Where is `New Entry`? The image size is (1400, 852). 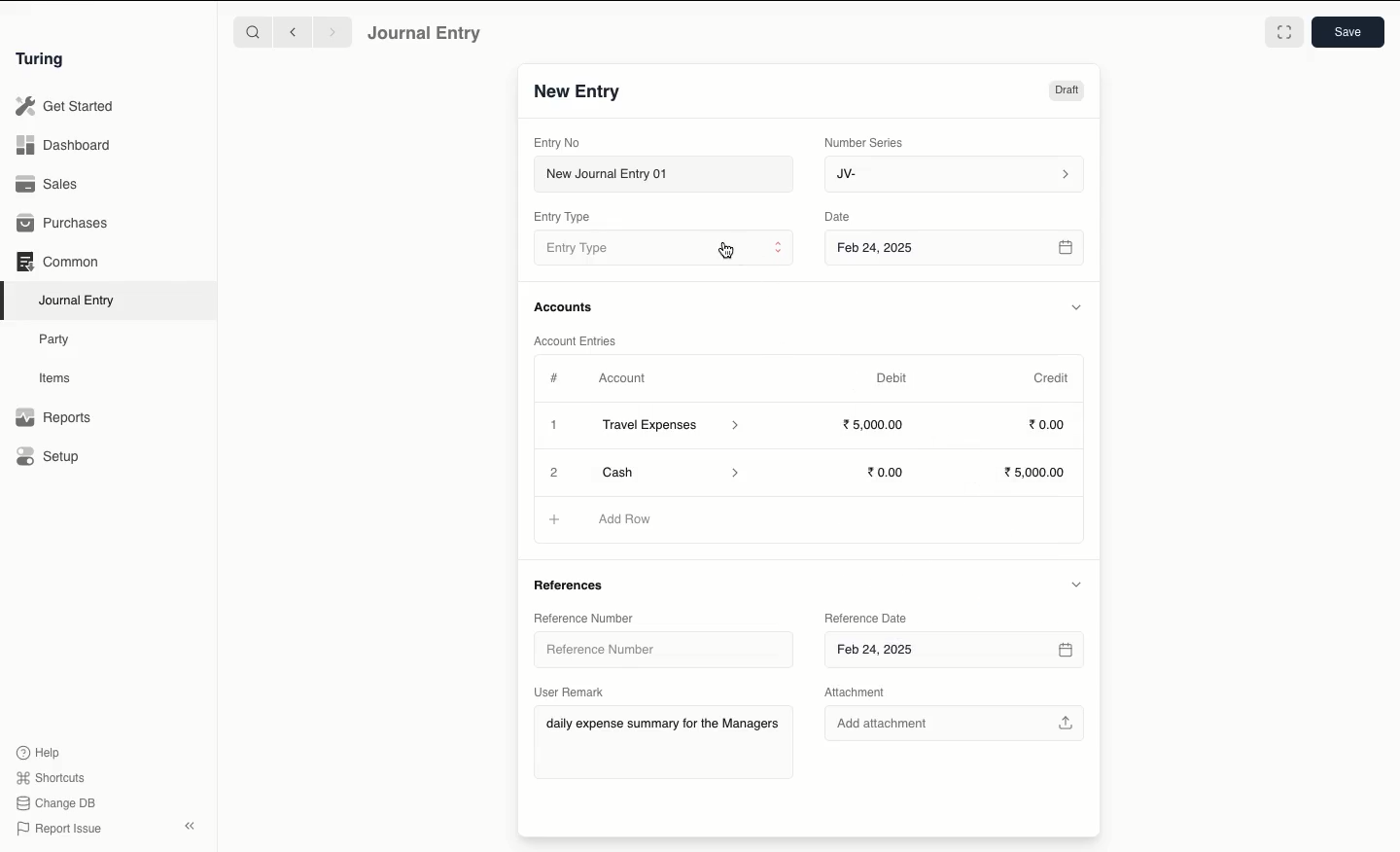 New Entry is located at coordinates (578, 92).